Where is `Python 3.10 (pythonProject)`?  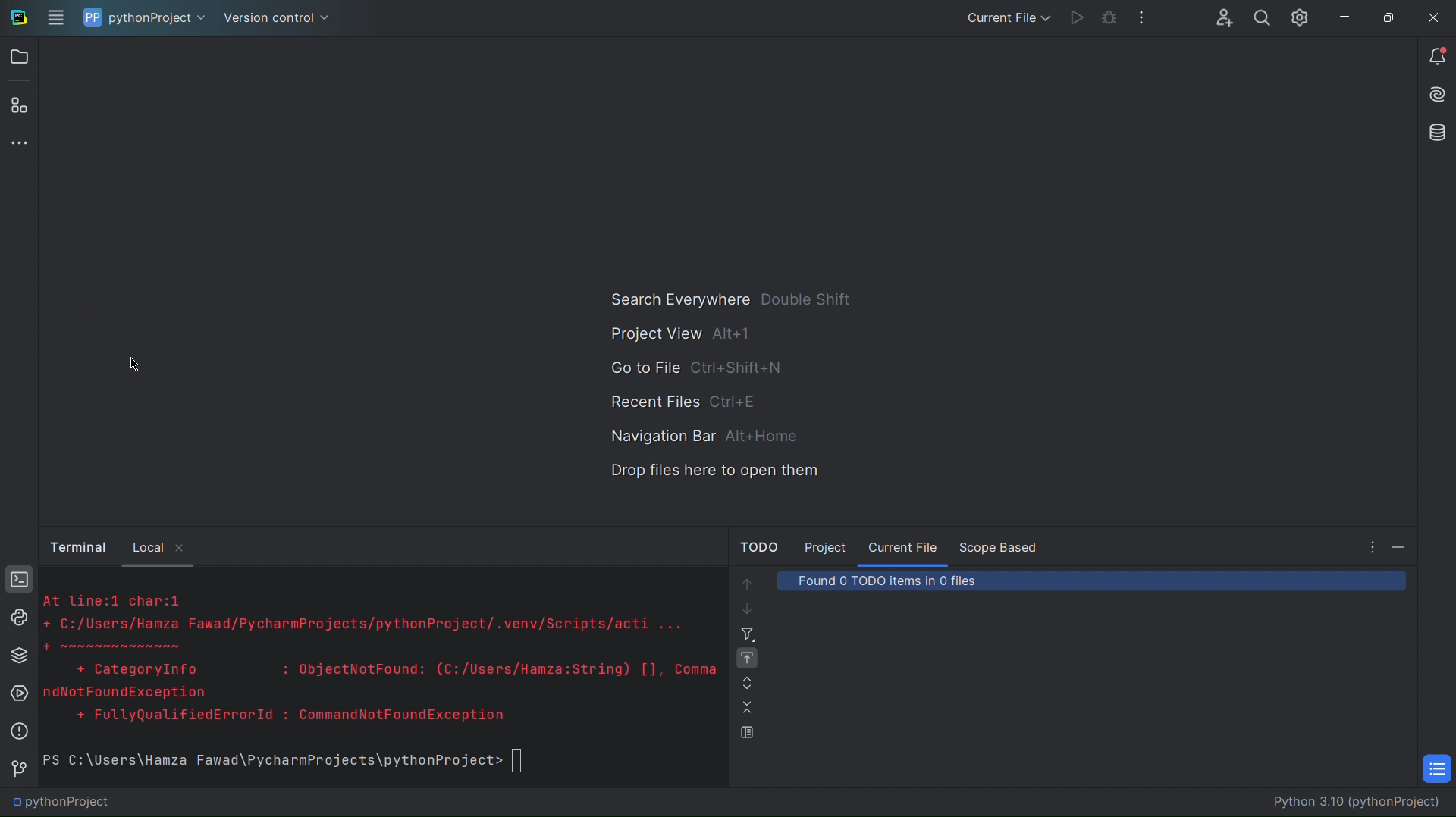 Python 3.10 (pythonProject) is located at coordinates (1346, 803).